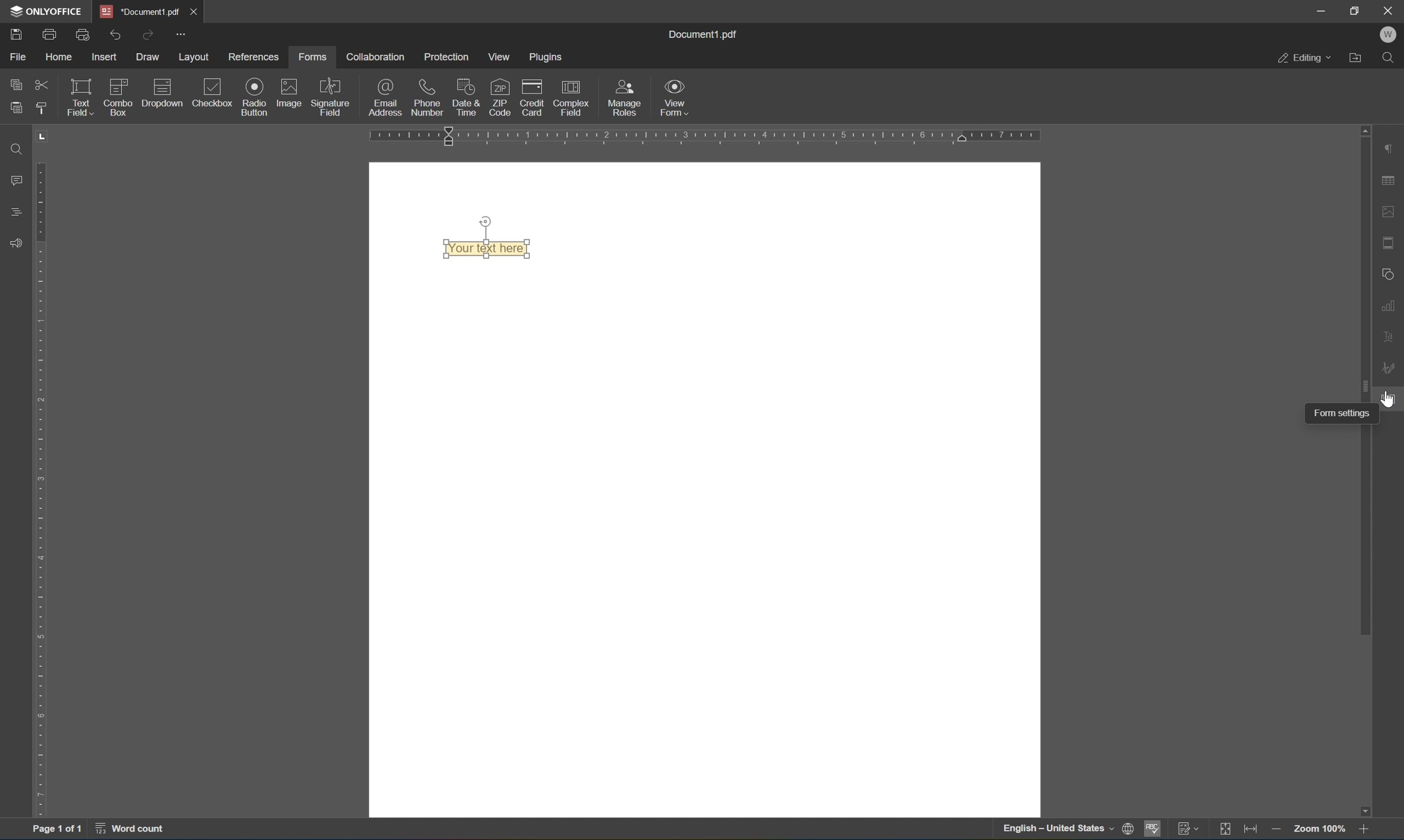 This screenshot has width=1404, height=840. What do you see at coordinates (1390, 9) in the screenshot?
I see `close` at bounding box center [1390, 9].